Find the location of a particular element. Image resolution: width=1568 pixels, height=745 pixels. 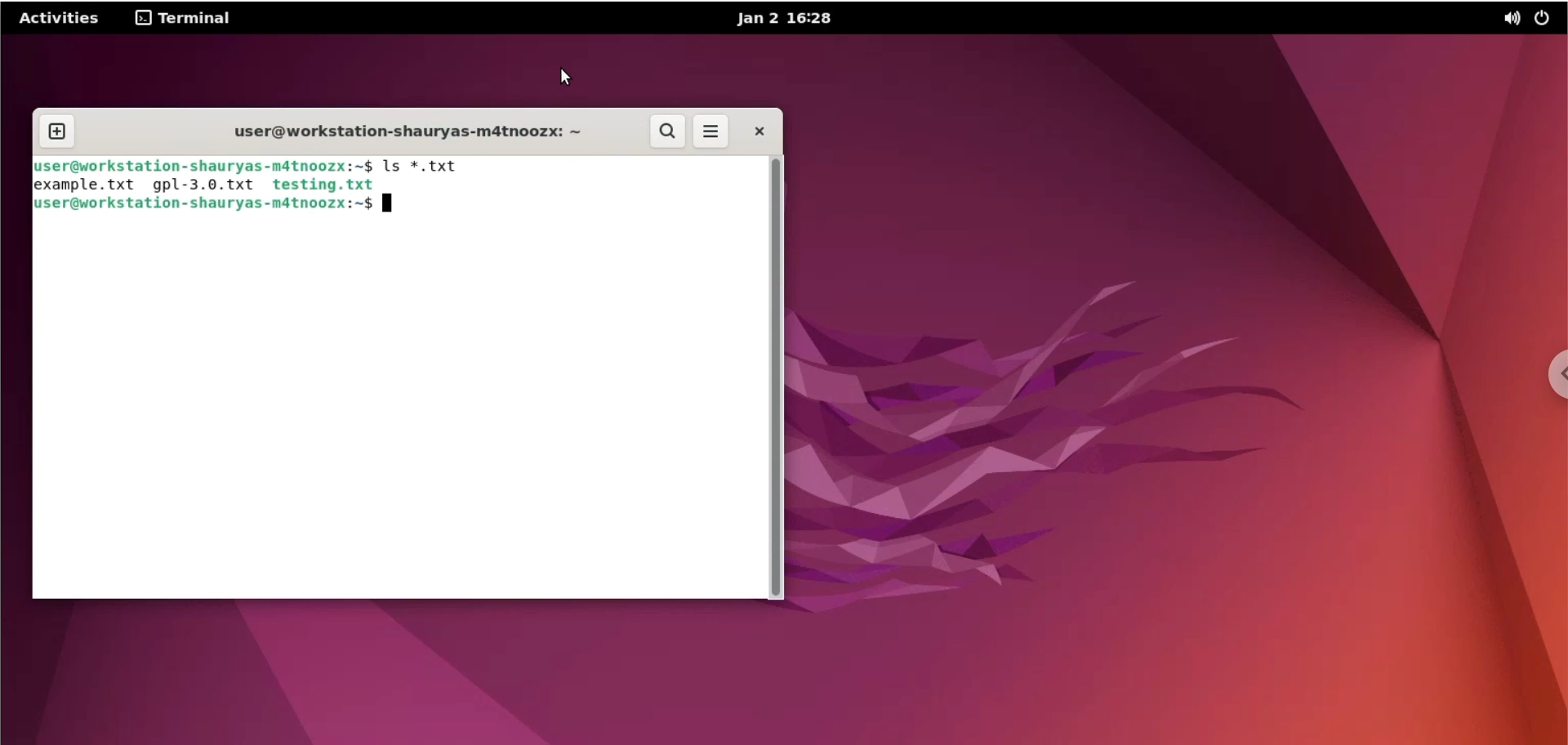

user@workstation-shauryas-m4tnoozx: ~ is located at coordinates (394, 130).